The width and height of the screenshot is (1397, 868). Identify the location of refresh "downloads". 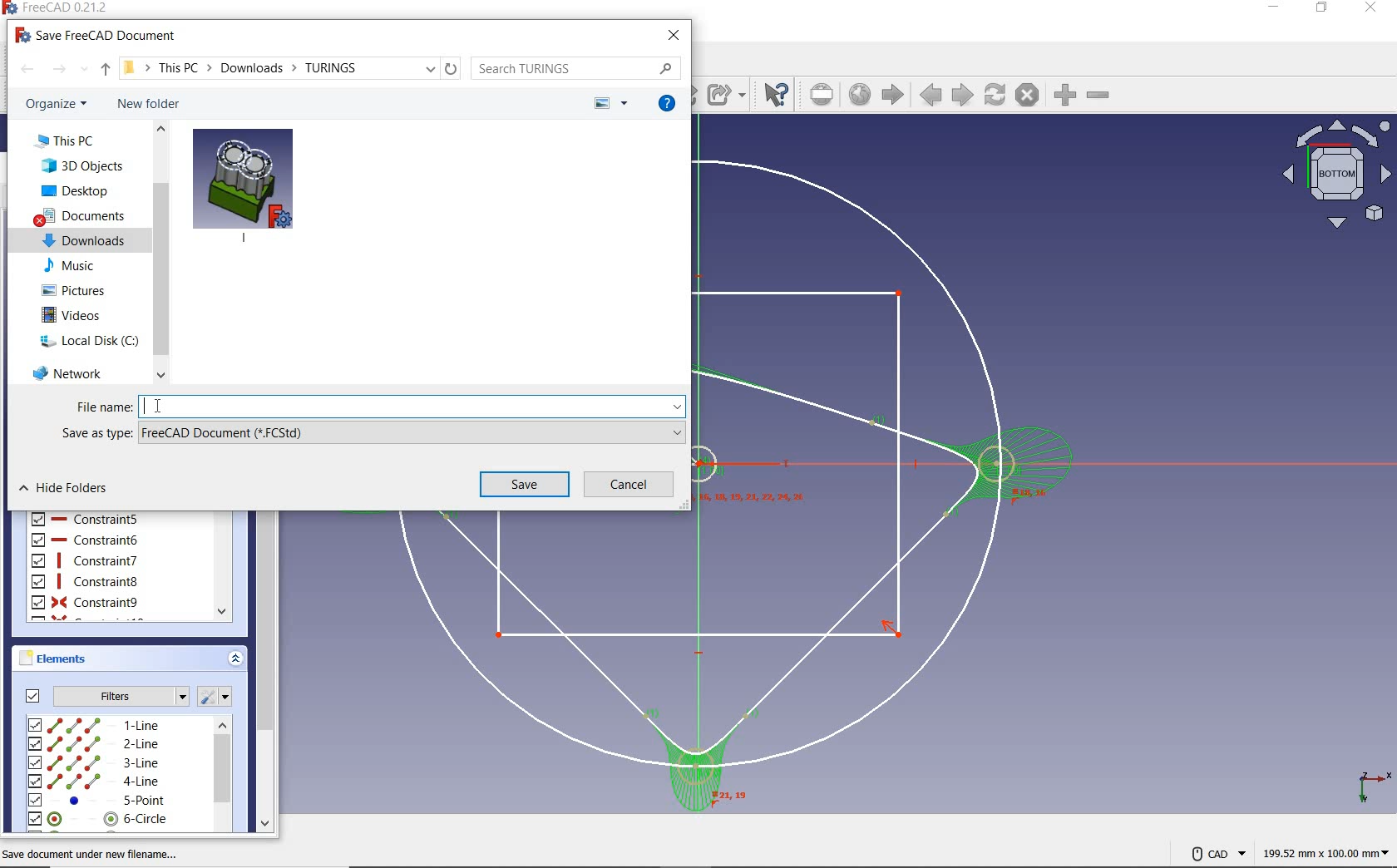
(452, 68).